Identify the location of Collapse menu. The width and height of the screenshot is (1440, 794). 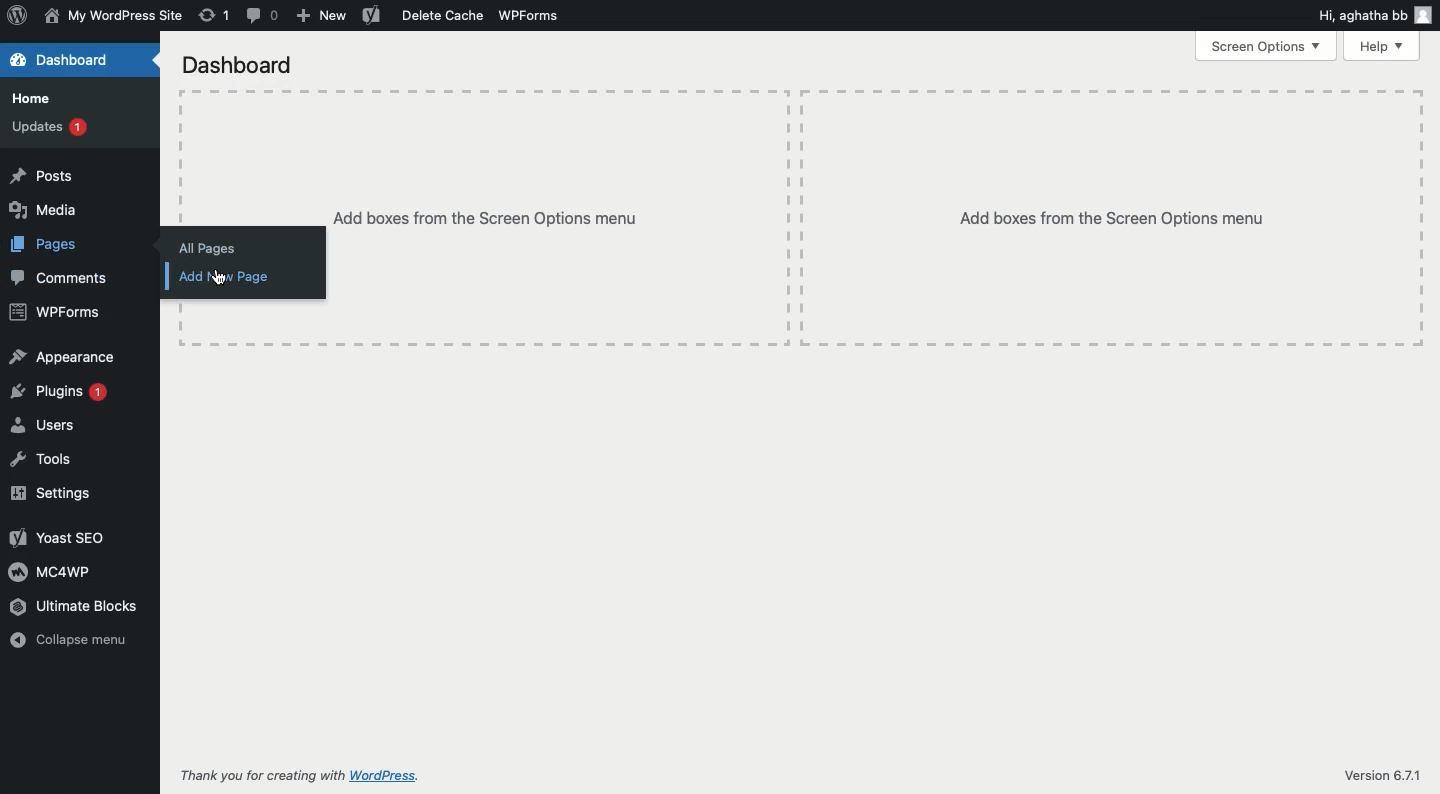
(75, 641).